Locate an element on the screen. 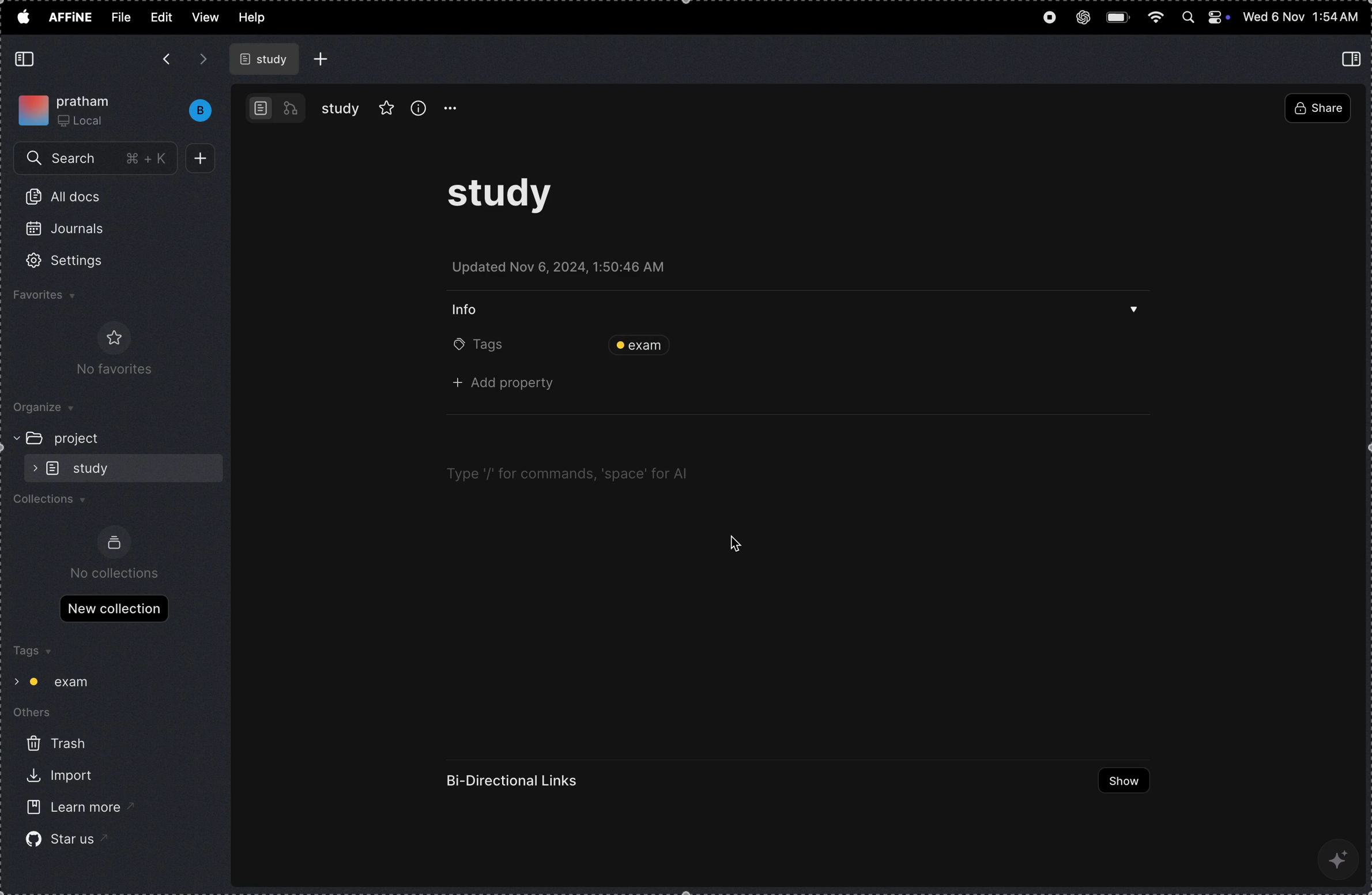 The image size is (1372, 895). battery is located at coordinates (1120, 16).